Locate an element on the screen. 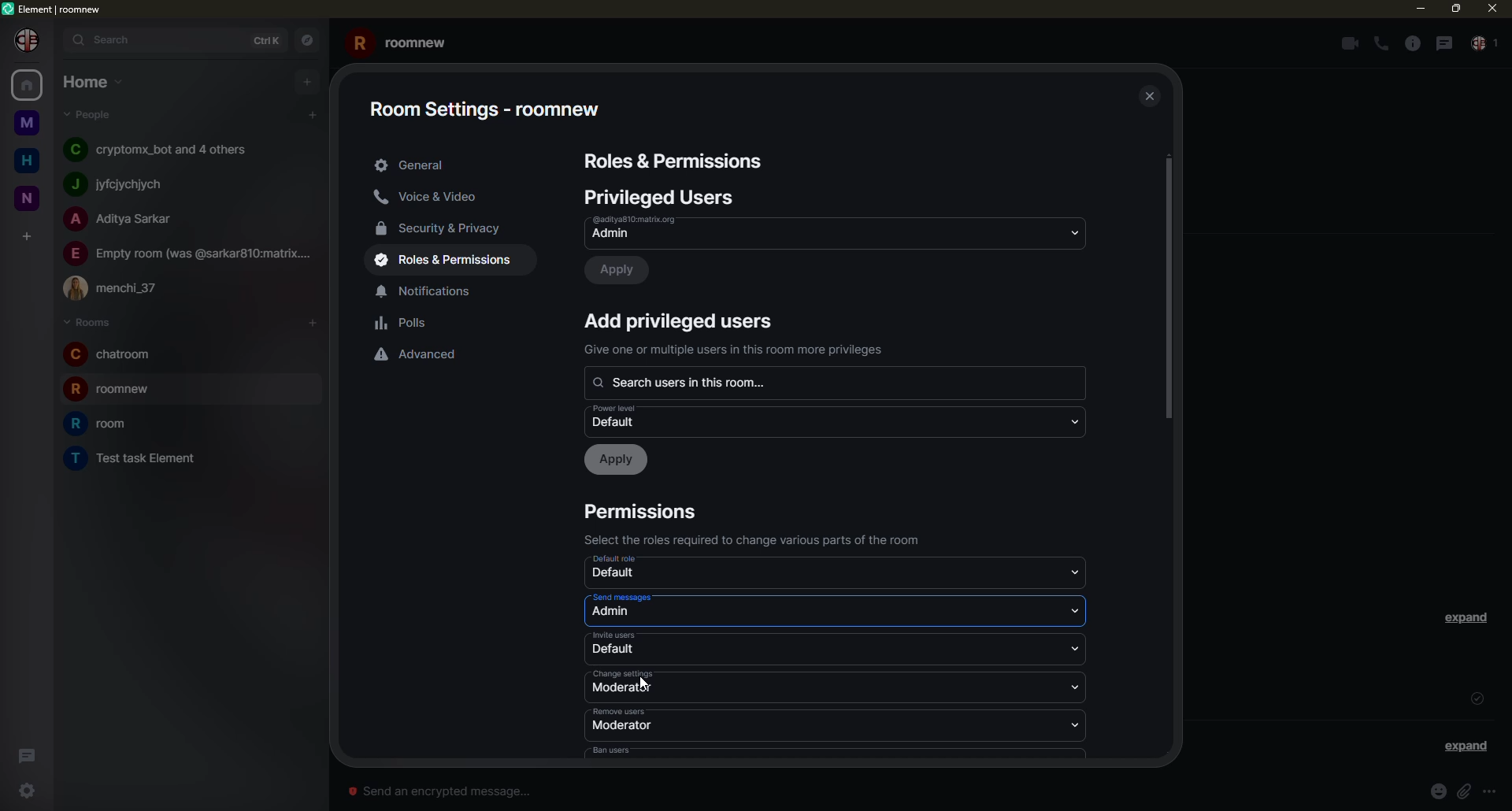 The image size is (1512, 811). expand is located at coordinates (1466, 617).